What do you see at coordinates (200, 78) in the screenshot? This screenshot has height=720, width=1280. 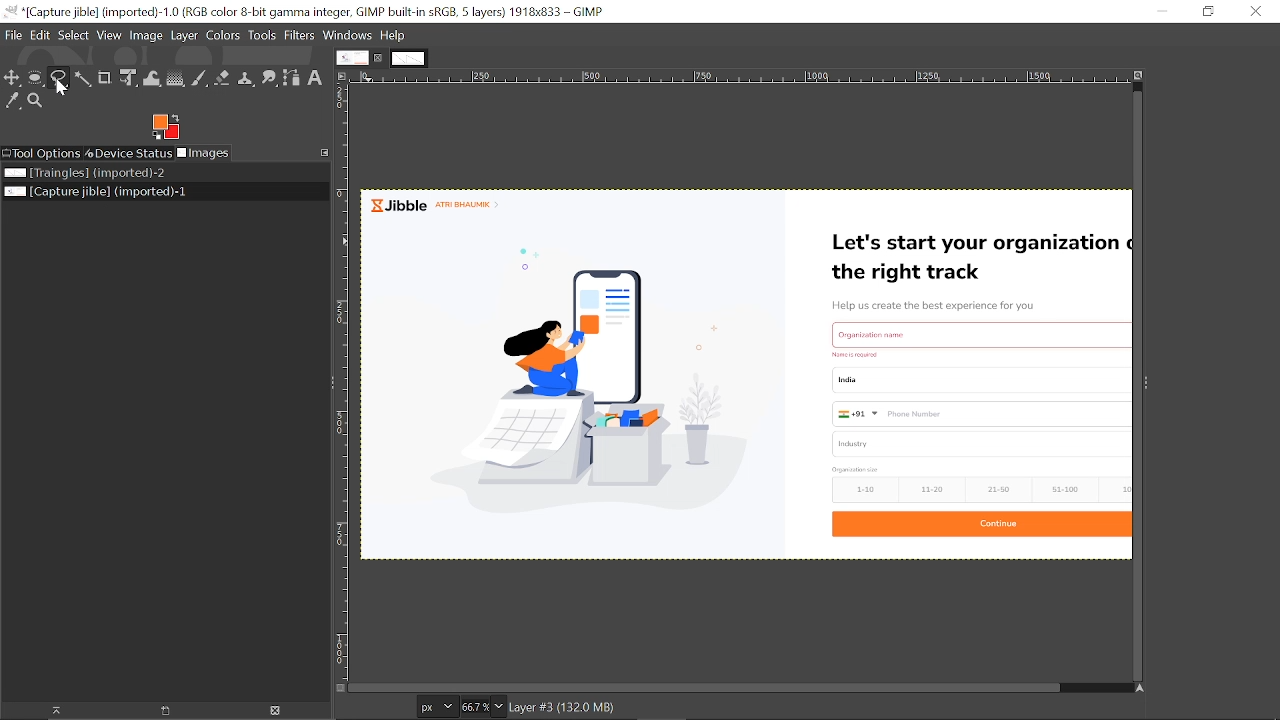 I see `Paintbrush tool` at bounding box center [200, 78].